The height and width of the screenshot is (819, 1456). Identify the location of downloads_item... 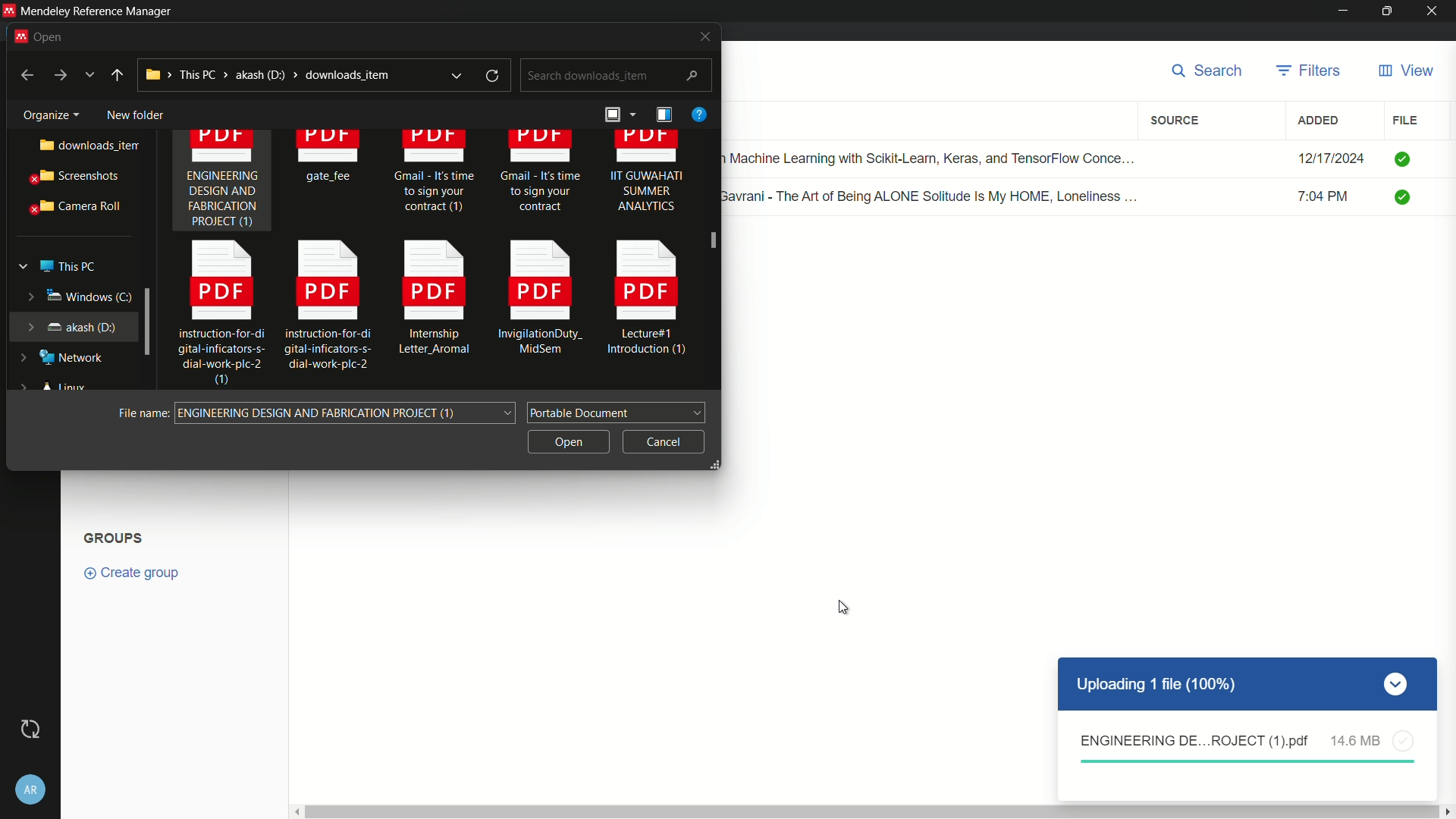
(77, 146).